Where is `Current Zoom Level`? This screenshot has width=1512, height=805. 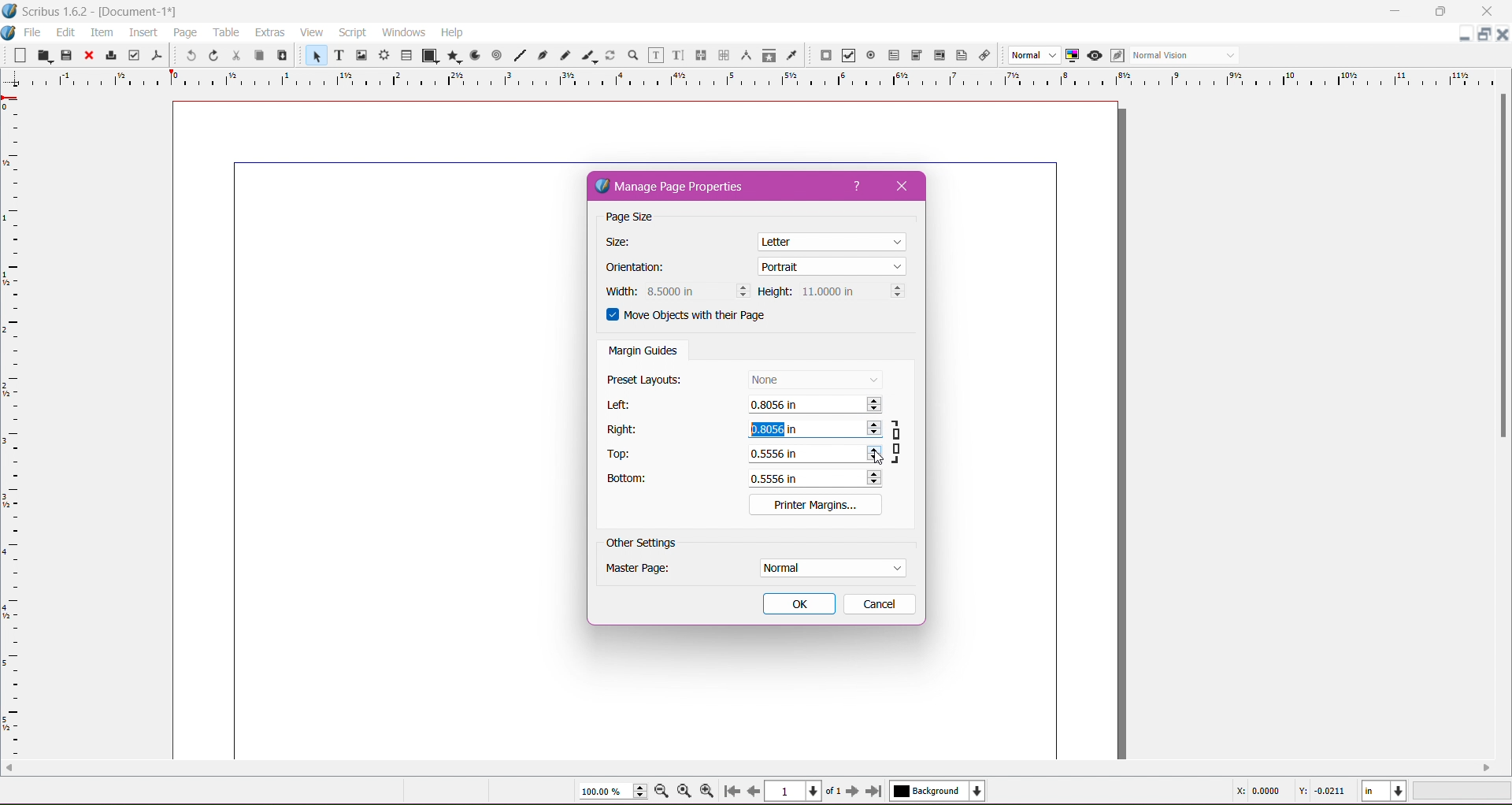 Current Zoom Level is located at coordinates (606, 792).